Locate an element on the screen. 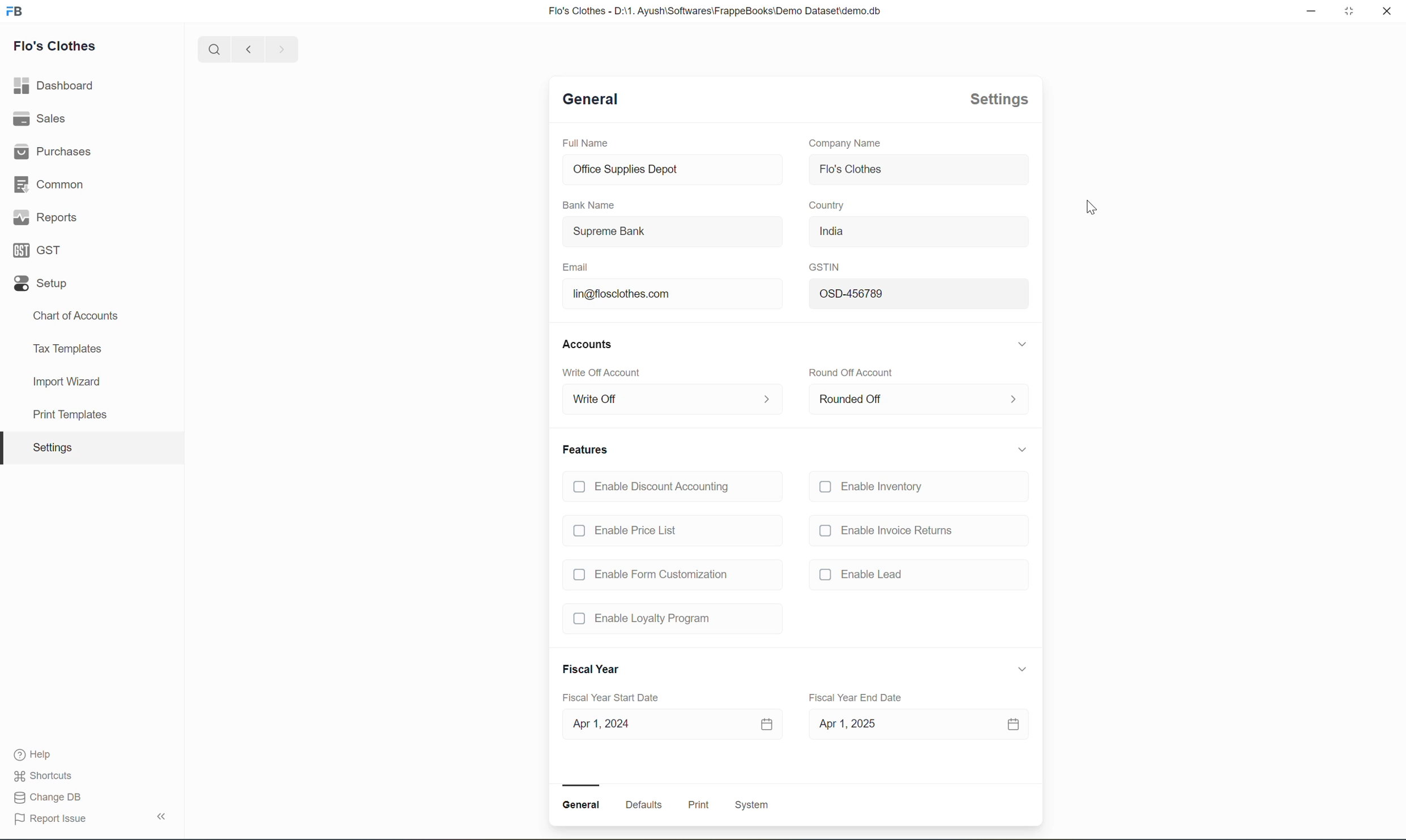 The image size is (1406, 840). Fiscal Year is located at coordinates (591, 668).